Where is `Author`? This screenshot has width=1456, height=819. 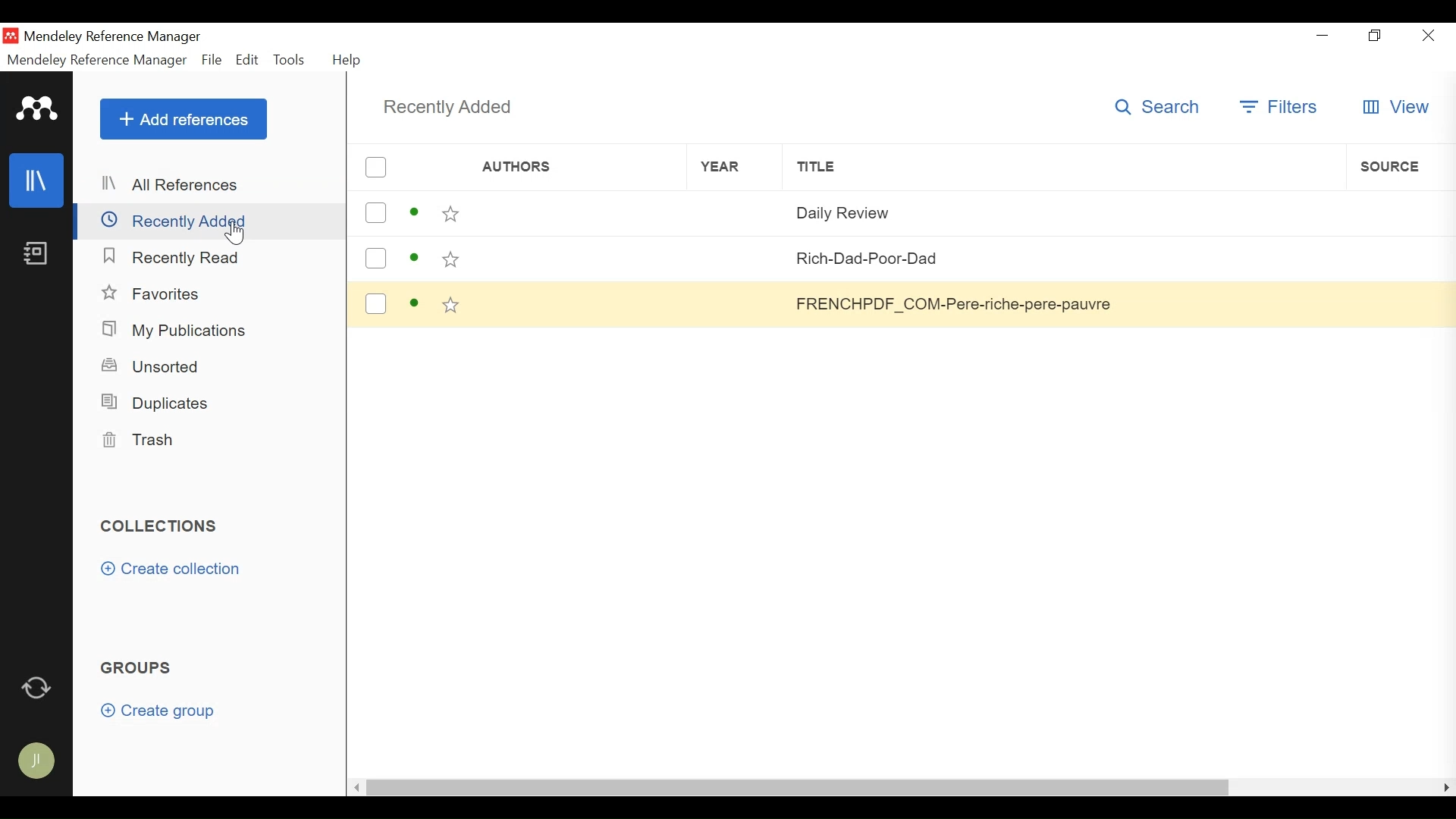 Author is located at coordinates (557, 216).